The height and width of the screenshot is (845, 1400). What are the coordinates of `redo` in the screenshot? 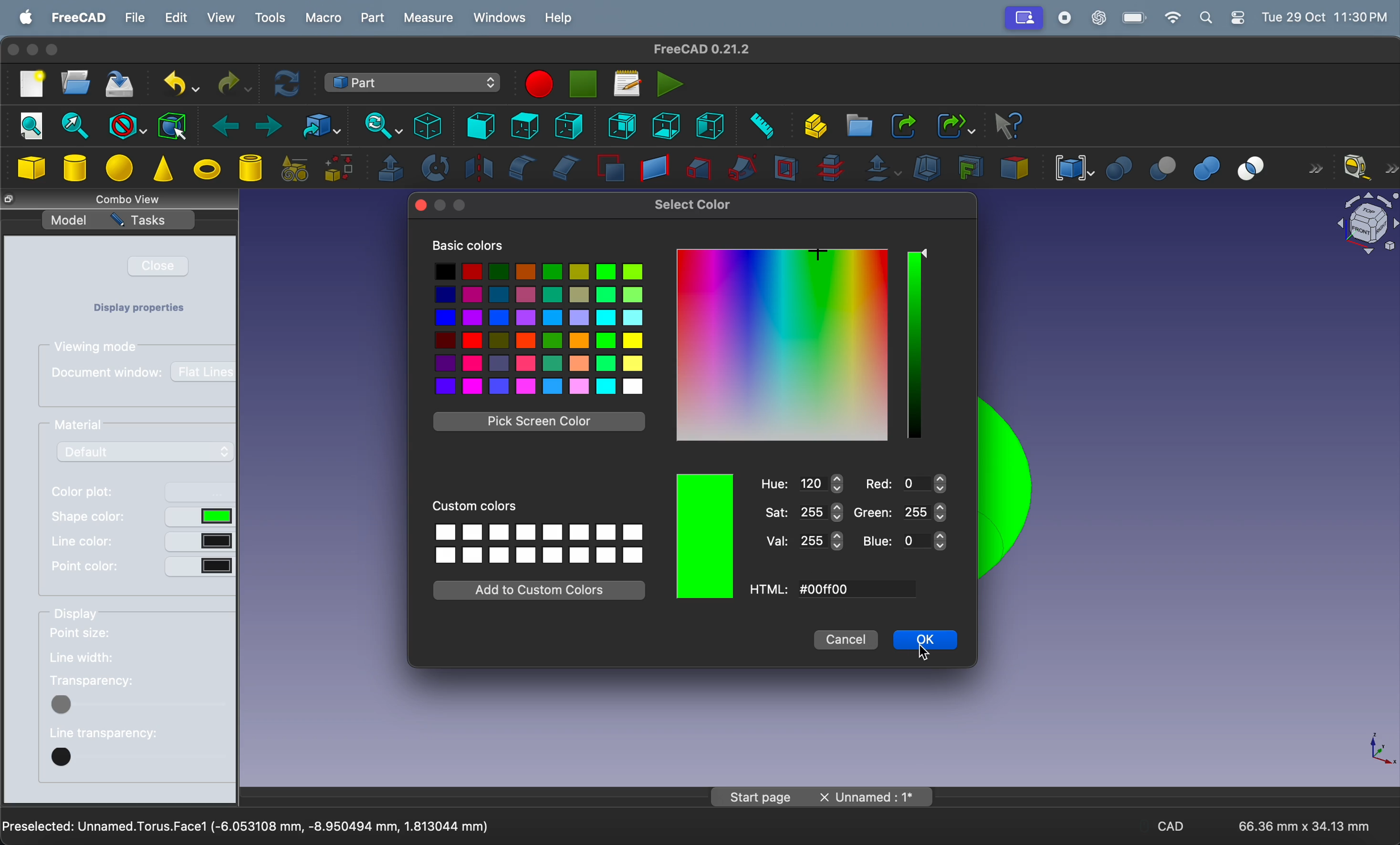 It's located at (232, 81).